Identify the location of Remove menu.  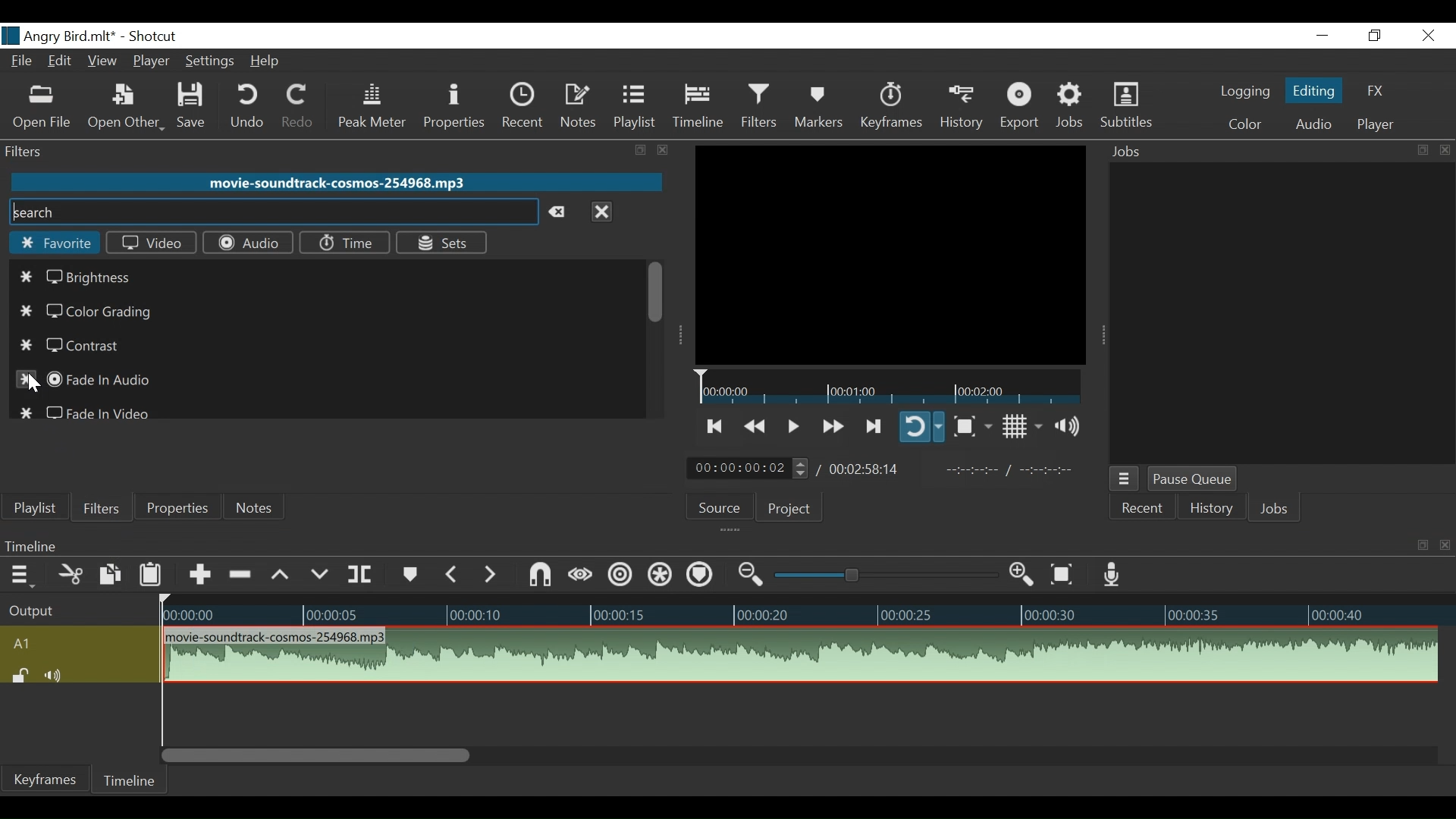
(601, 214).